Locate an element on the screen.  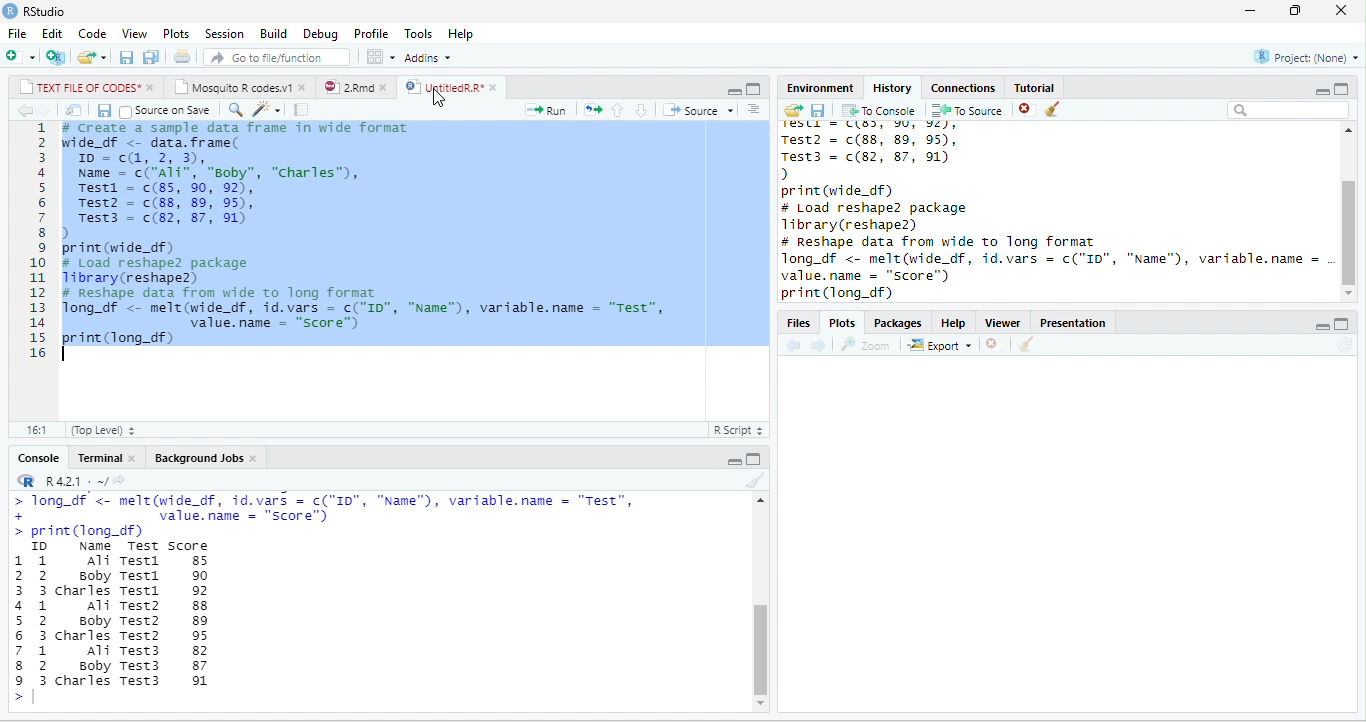
Text file is located at coordinates (737, 429).